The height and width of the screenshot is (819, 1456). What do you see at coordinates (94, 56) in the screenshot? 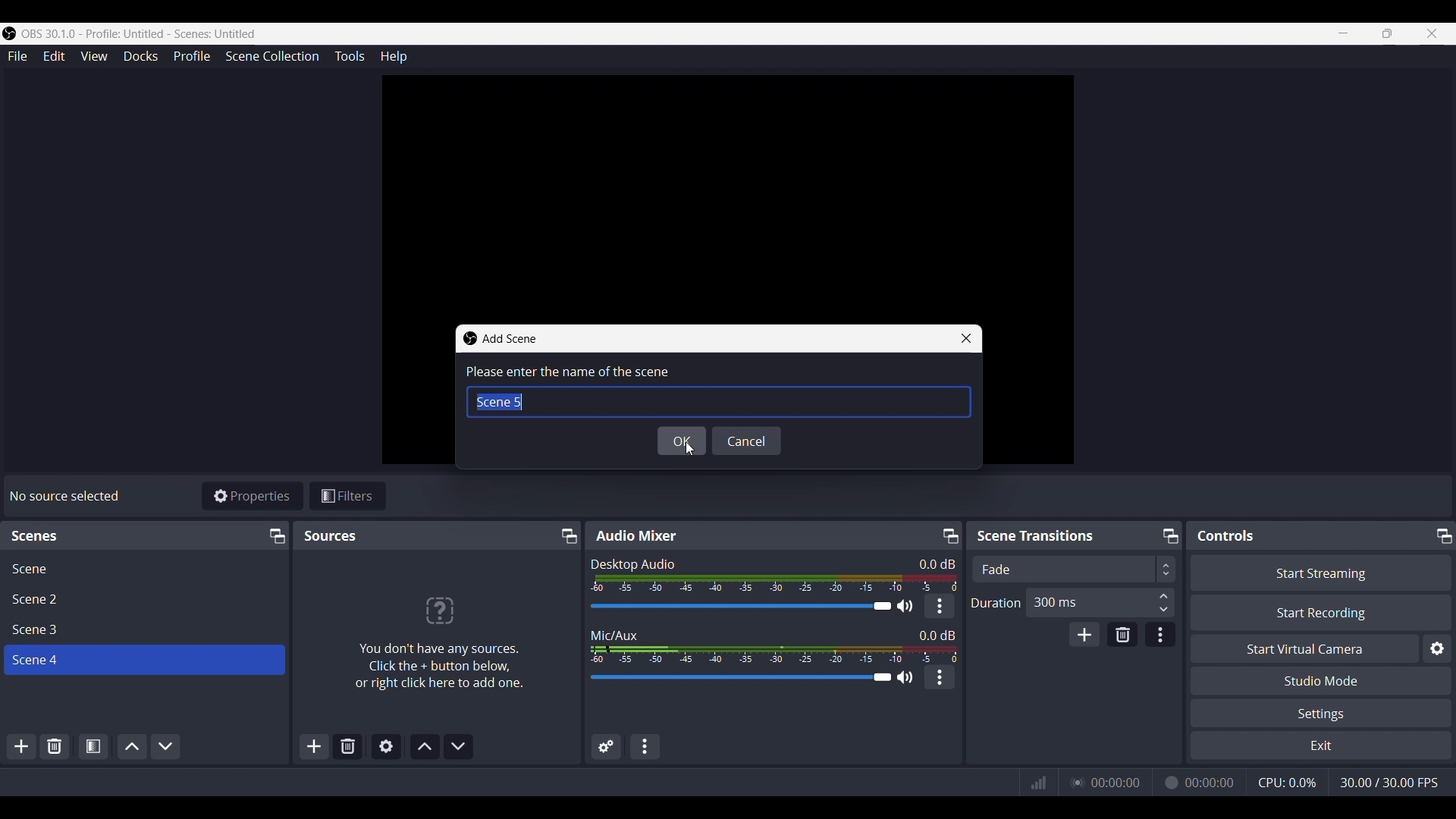
I see `View` at bounding box center [94, 56].